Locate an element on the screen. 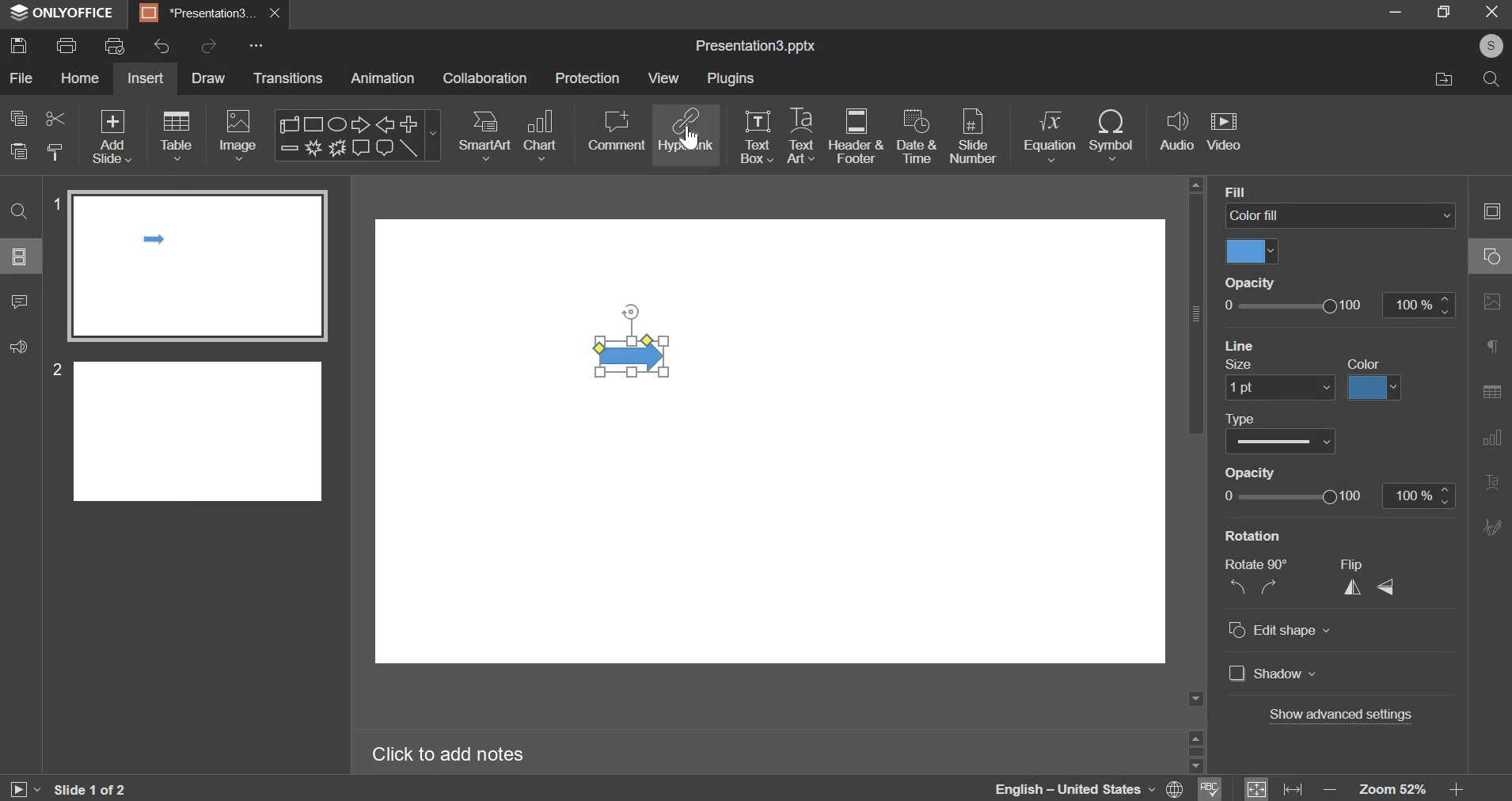 This screenshot has width=1512, height=801. smart art is located at coordinates (486, 135).